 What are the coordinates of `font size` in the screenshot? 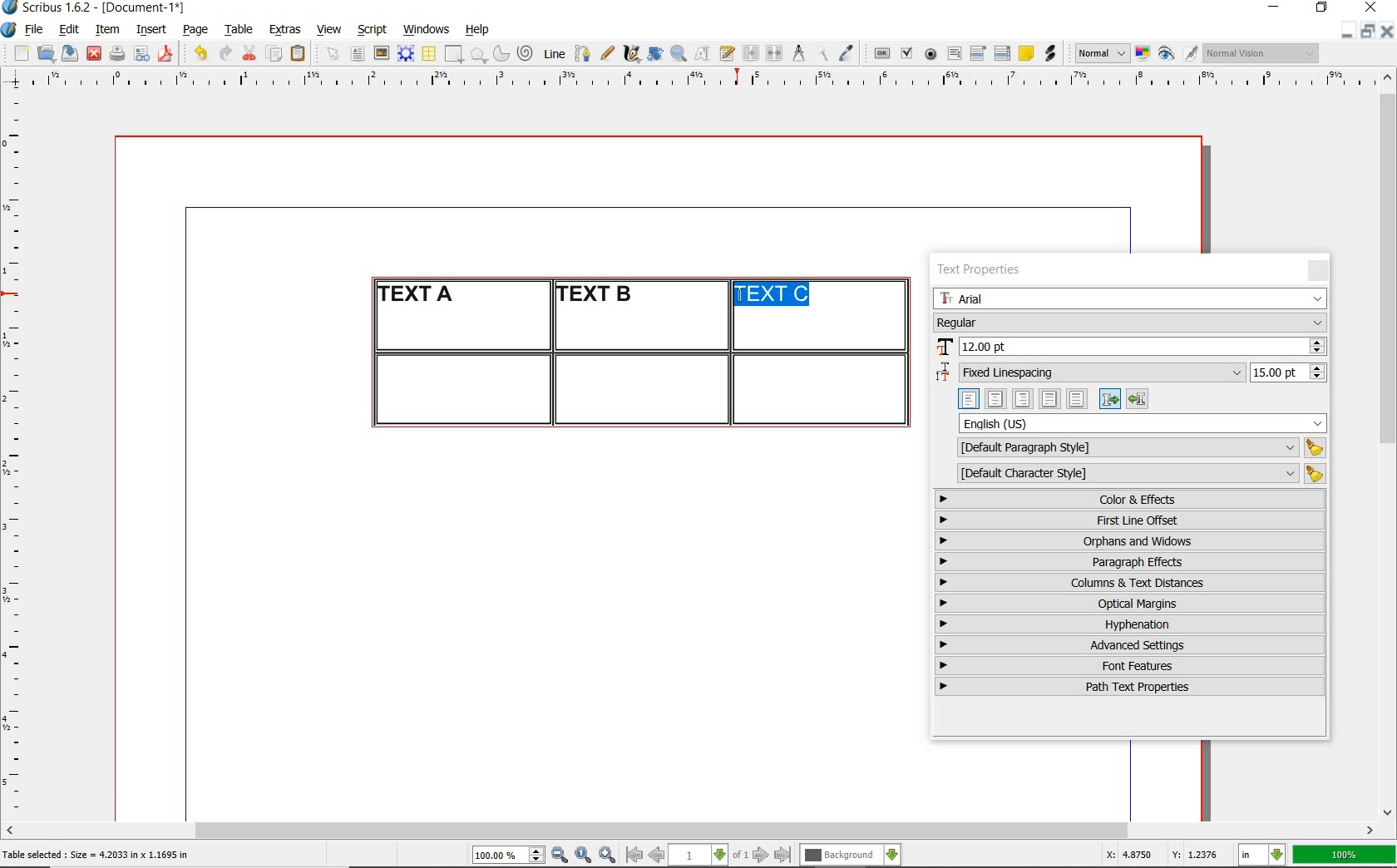 It's located at (1130, 348).